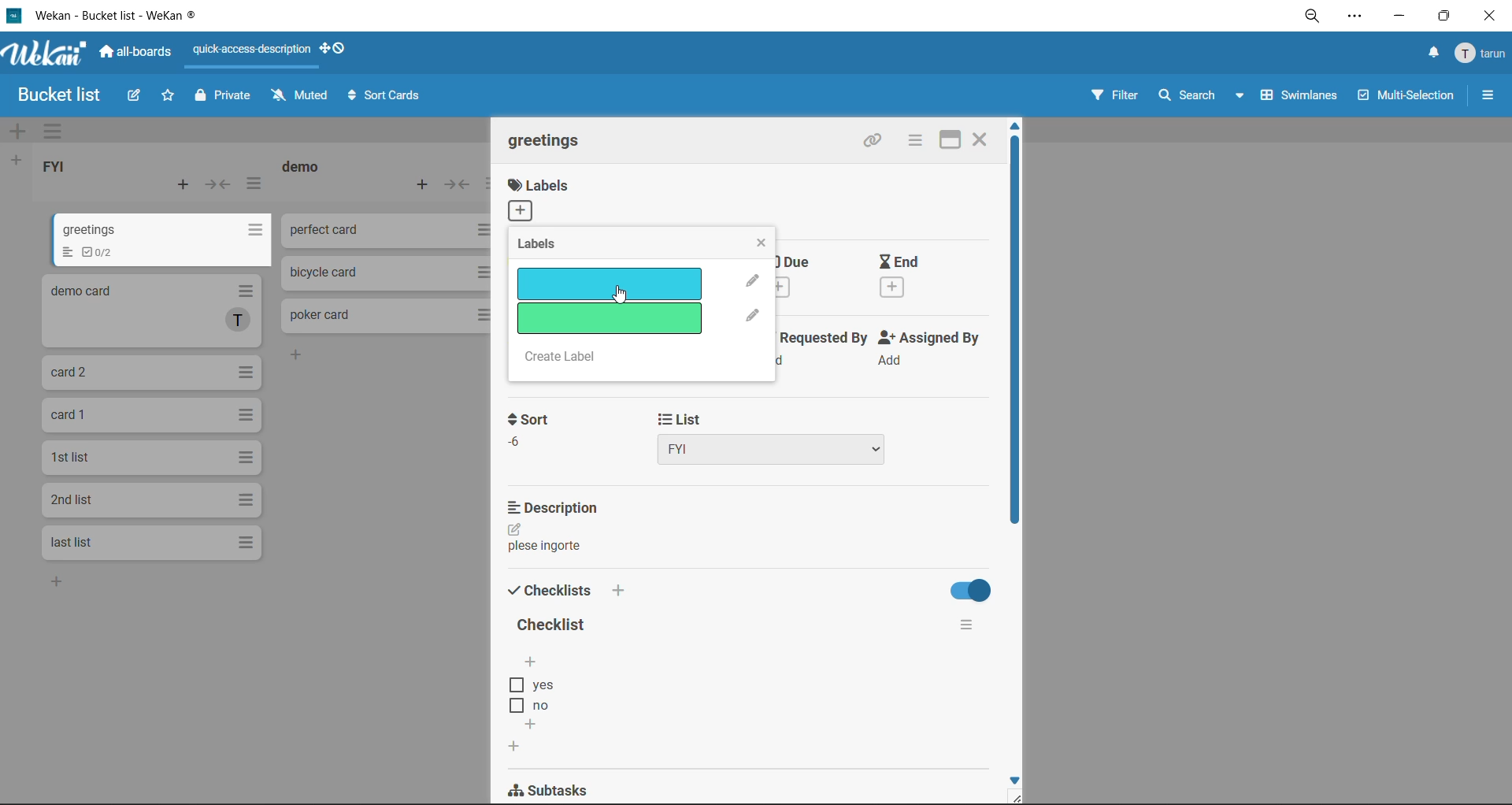 Image resolution: width=1512 pixels, height=805 pixels. Describe the element at coordinates (1483, 52) in the screenshot. I see `menu` at that location.